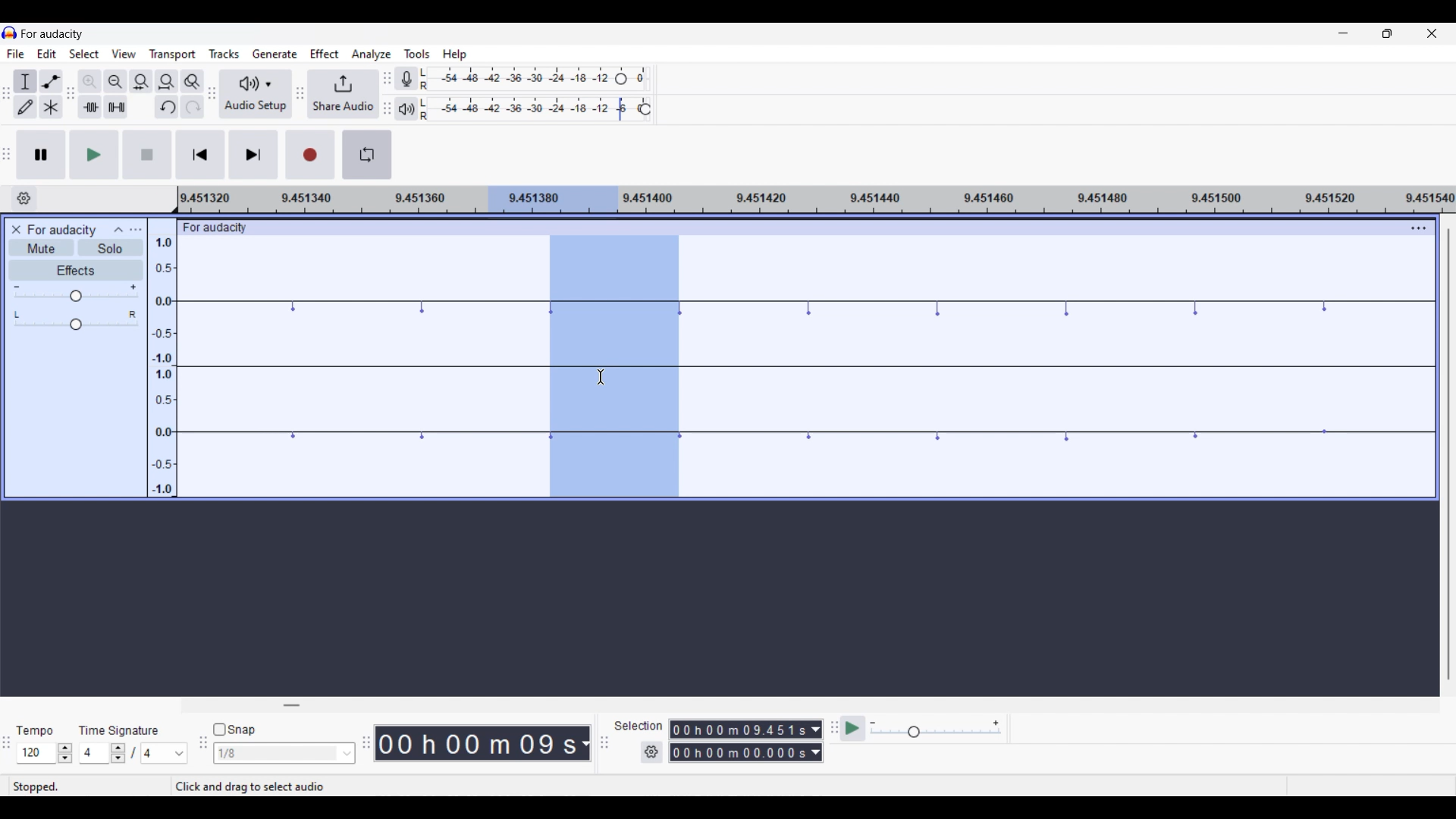 The height and width of the screenshot is (819, 1456). I want to click on Play/Play once, so click(94, 155).